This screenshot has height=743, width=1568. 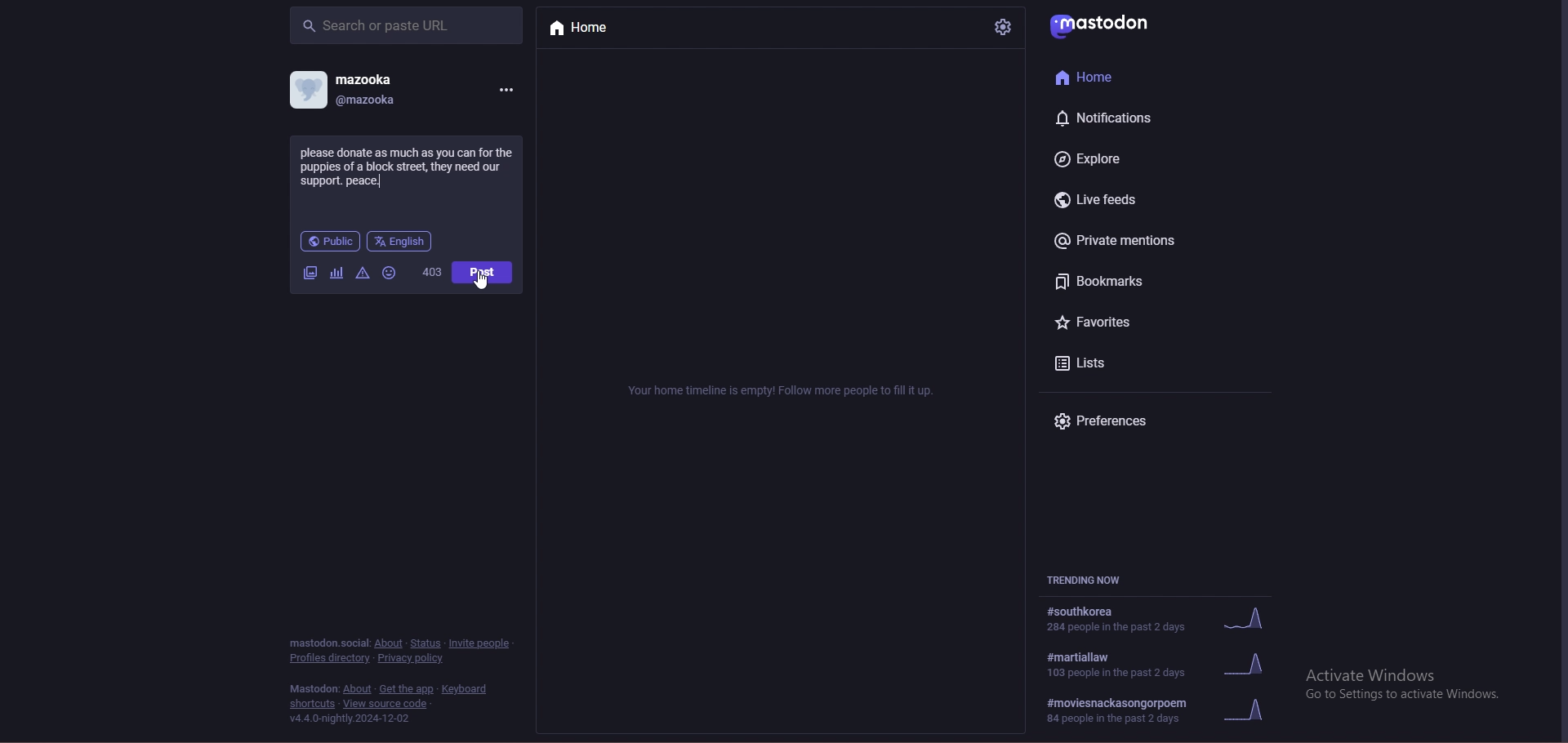 I want to click on privacy policy, so click(x=413, y=657).